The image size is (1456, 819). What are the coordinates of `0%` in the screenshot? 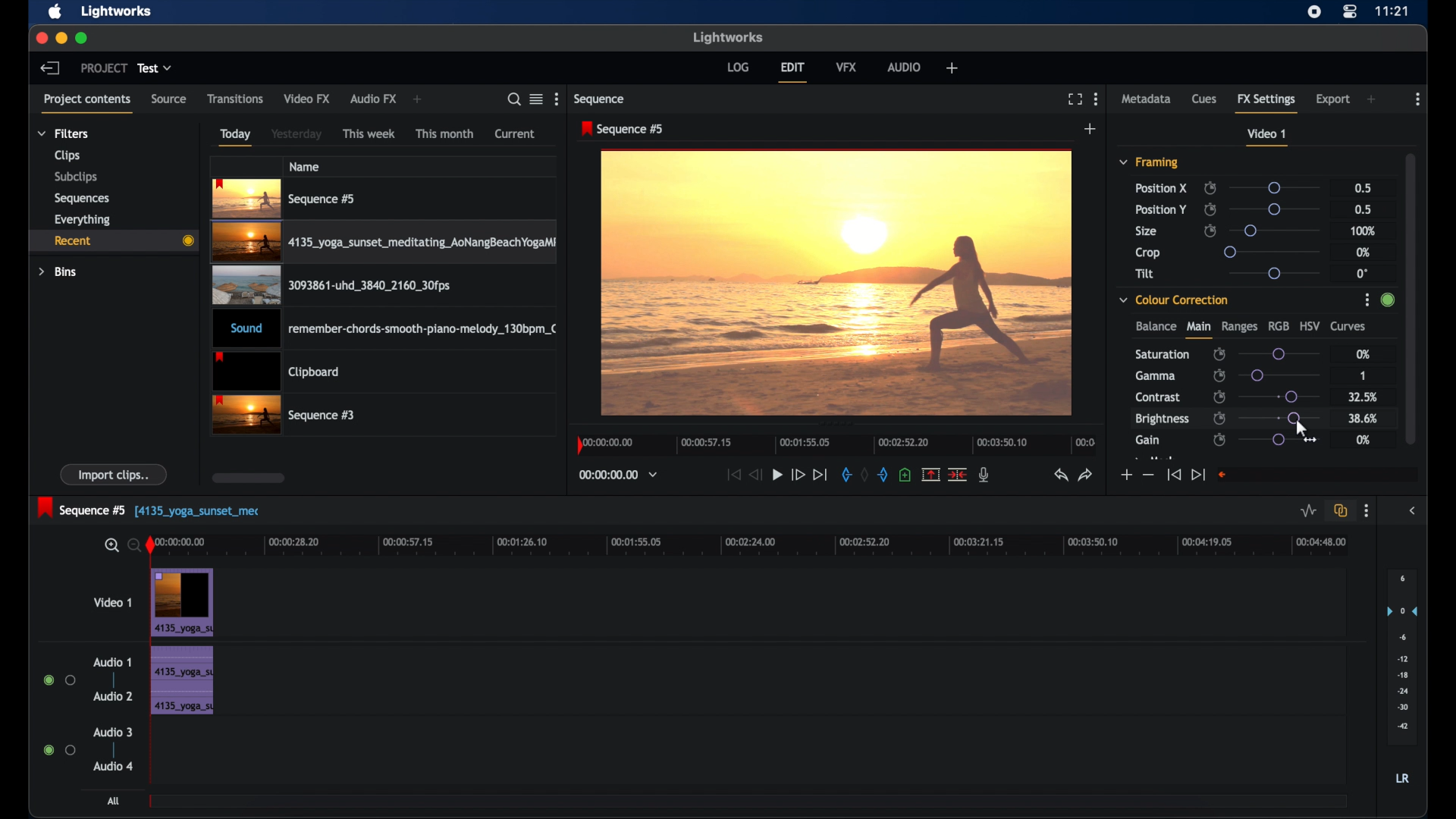 It's located at (1360, 356).